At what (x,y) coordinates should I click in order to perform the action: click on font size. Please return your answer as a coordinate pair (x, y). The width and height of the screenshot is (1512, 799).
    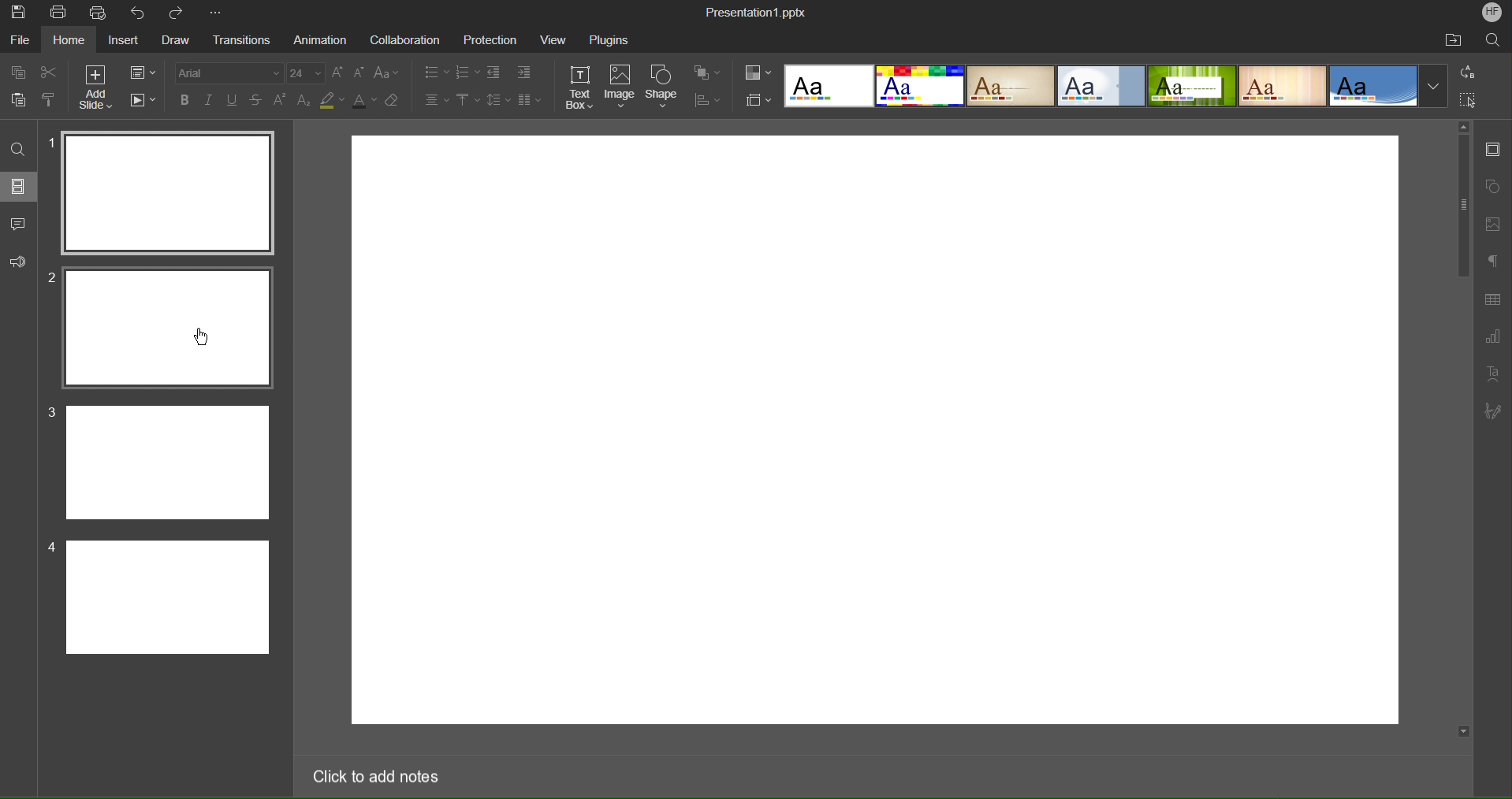
    Looking at the image, I should click on (305, 73).